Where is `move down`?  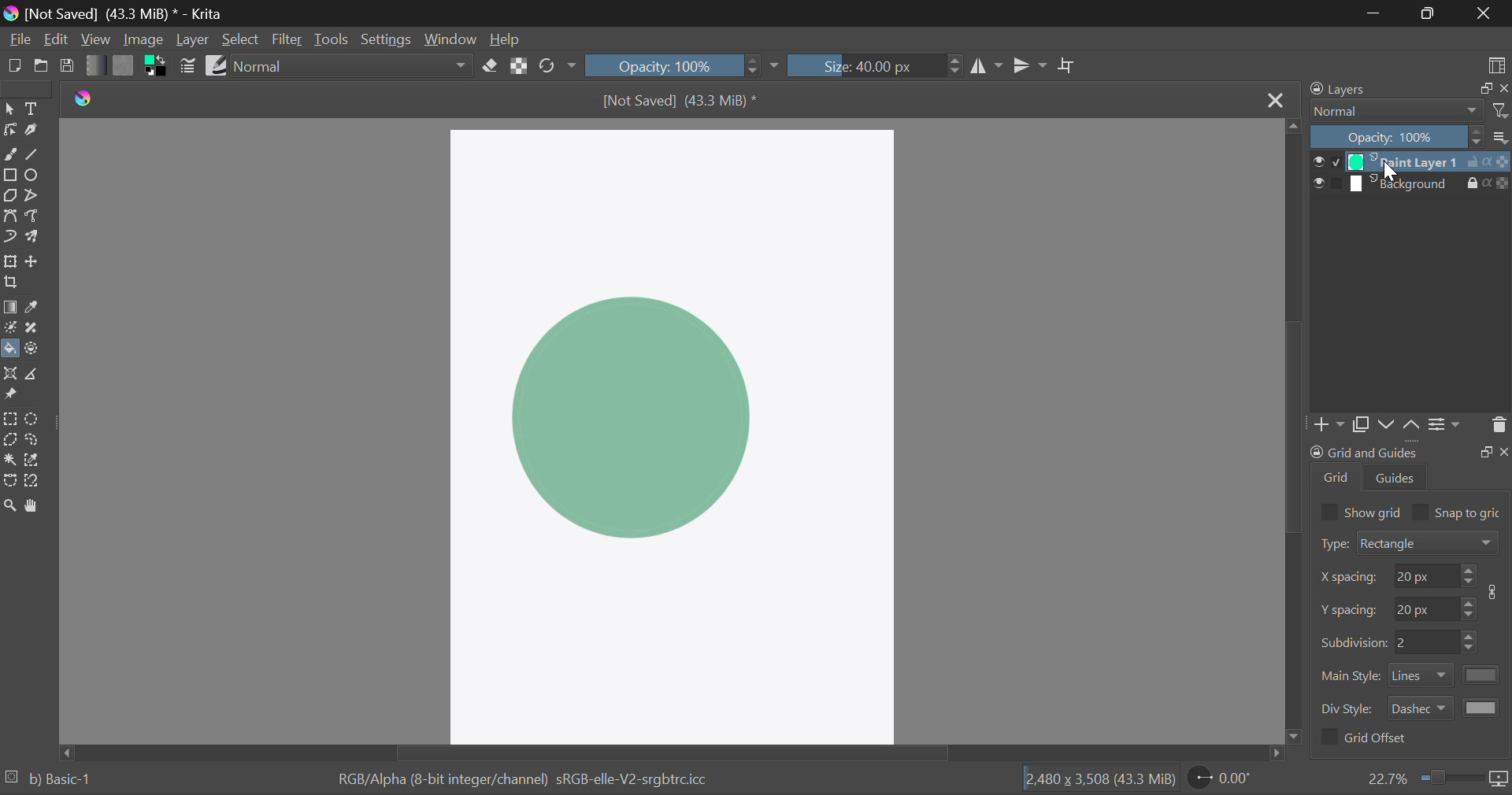
move down is located at coordinates (1294, 732).